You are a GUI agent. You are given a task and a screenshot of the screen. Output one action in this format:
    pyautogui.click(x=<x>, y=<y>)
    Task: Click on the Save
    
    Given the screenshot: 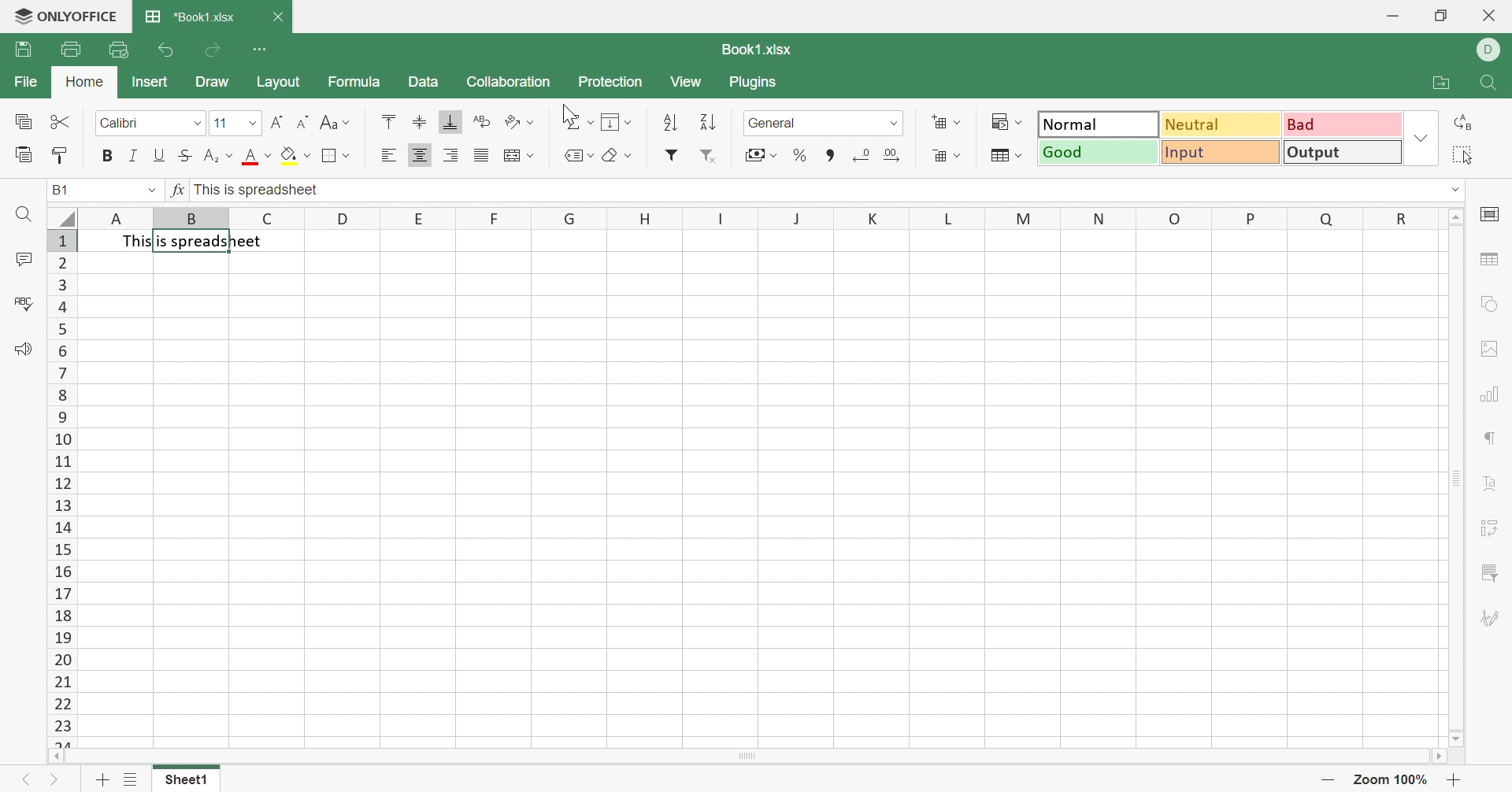 What is the action you would take?
    pyautogui.click(x=22, y=48)
    